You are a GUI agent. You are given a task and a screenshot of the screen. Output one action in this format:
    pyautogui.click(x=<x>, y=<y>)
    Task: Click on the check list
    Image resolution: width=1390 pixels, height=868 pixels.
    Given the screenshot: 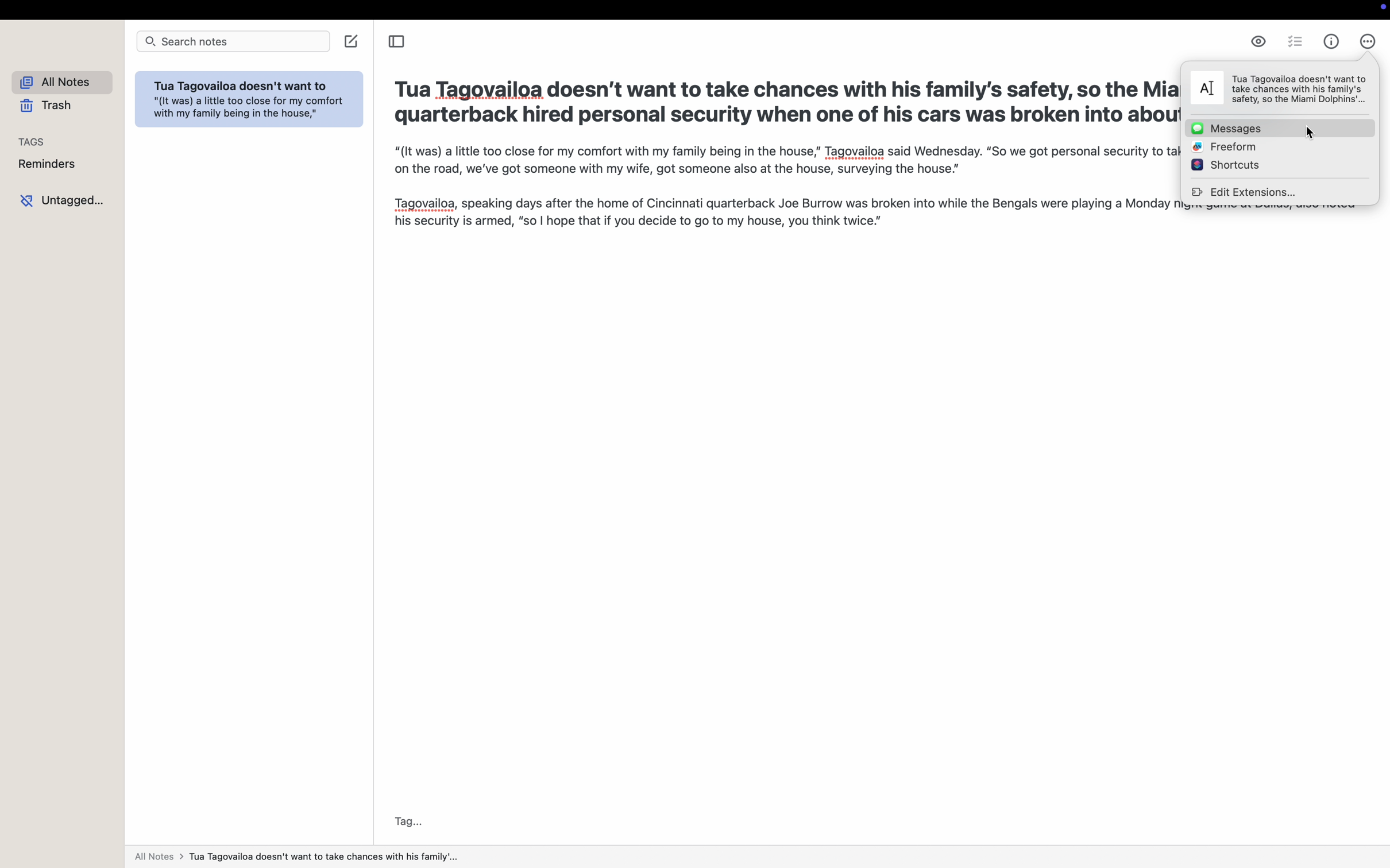 What is the action you would take?
    pyautogui.click(x=1295, y=41)
    